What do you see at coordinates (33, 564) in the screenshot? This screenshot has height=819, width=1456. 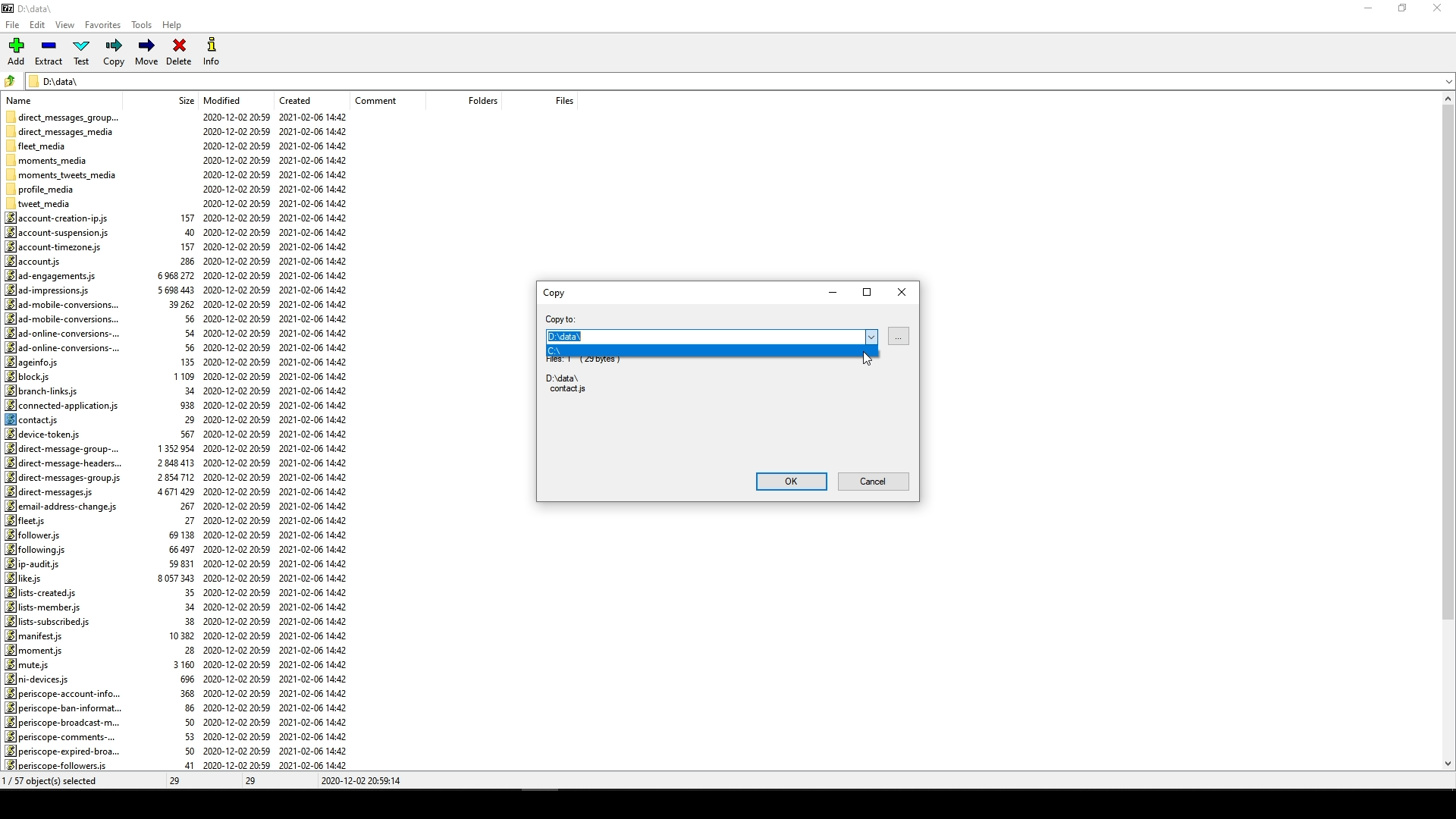 I see `ip-audits.js` at bounding box center [33, 564].